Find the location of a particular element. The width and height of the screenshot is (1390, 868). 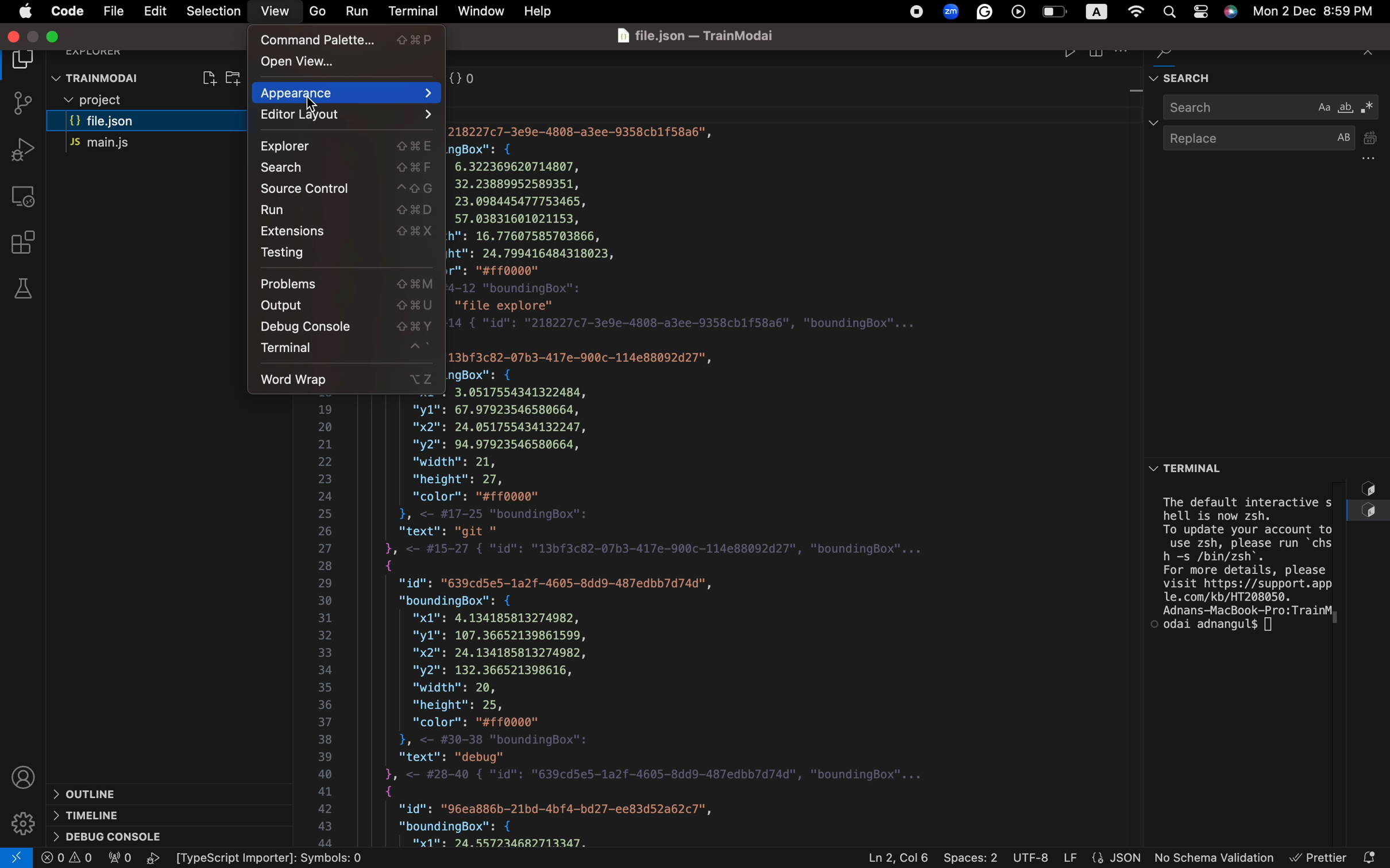

 is located at coordinates (26, 11).